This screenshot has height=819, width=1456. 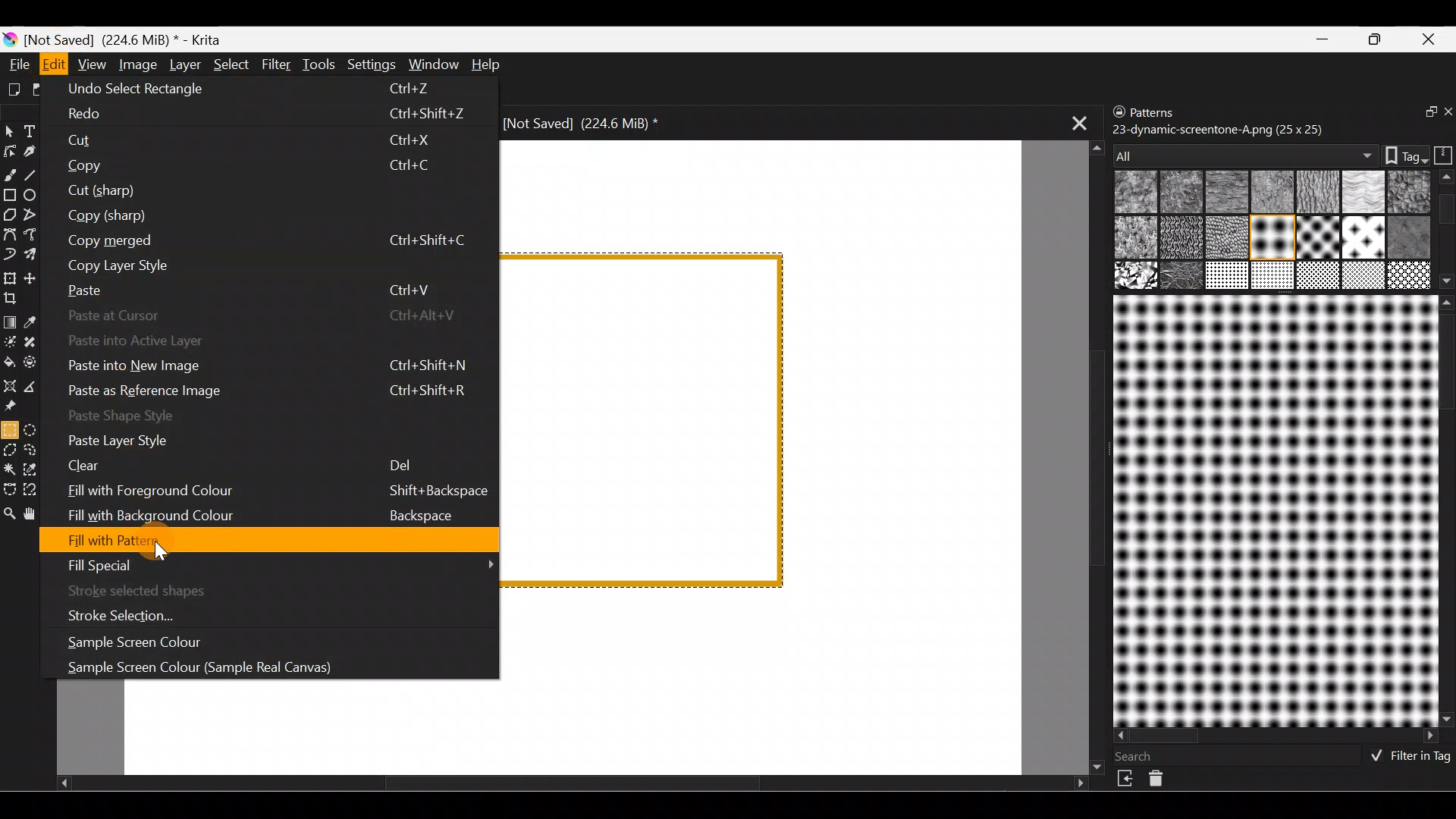 I want to click on Draw a gradient, so click(x=12, y=318).